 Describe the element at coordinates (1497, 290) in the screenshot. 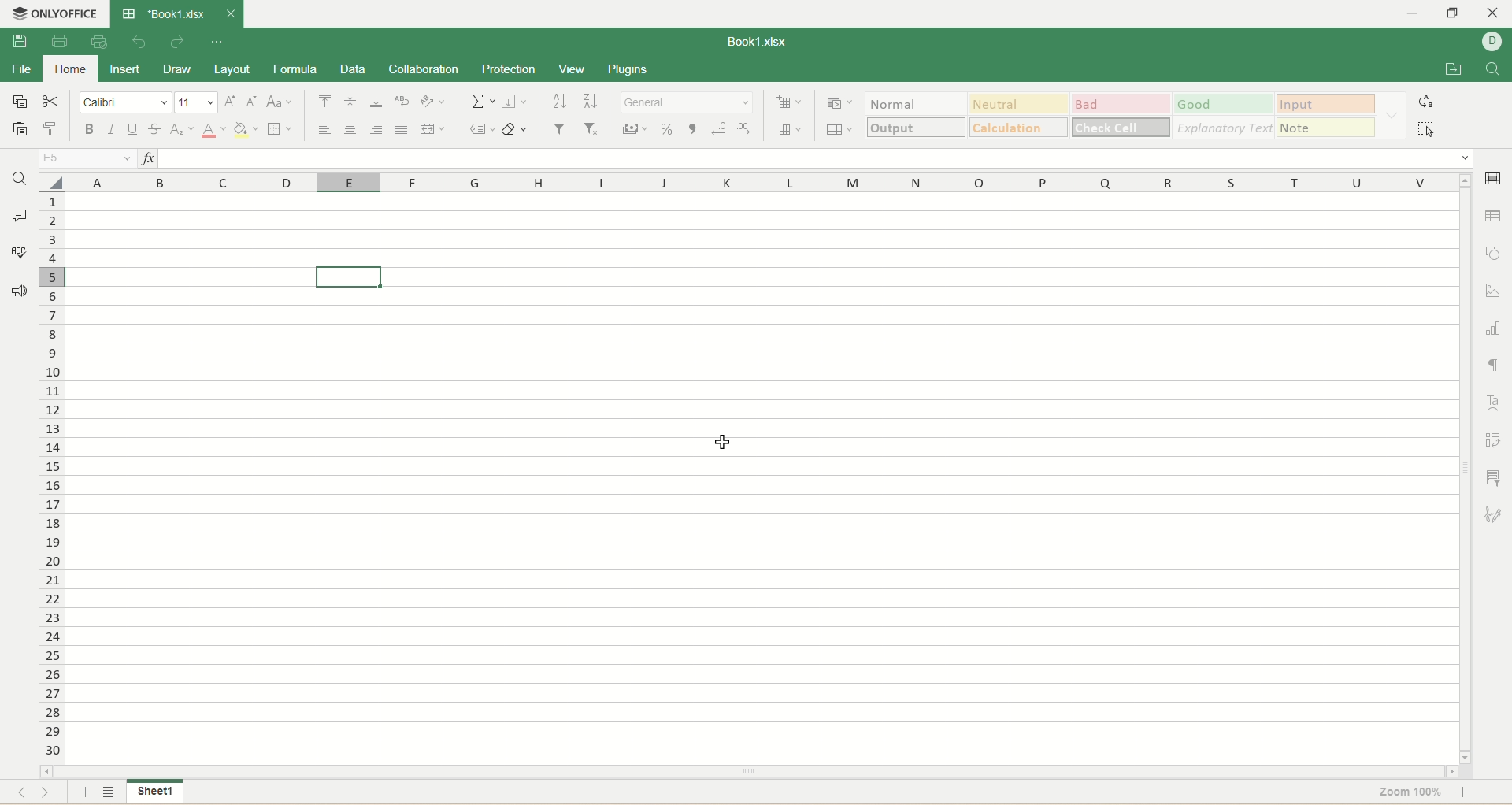

I see `image settings` at that location.